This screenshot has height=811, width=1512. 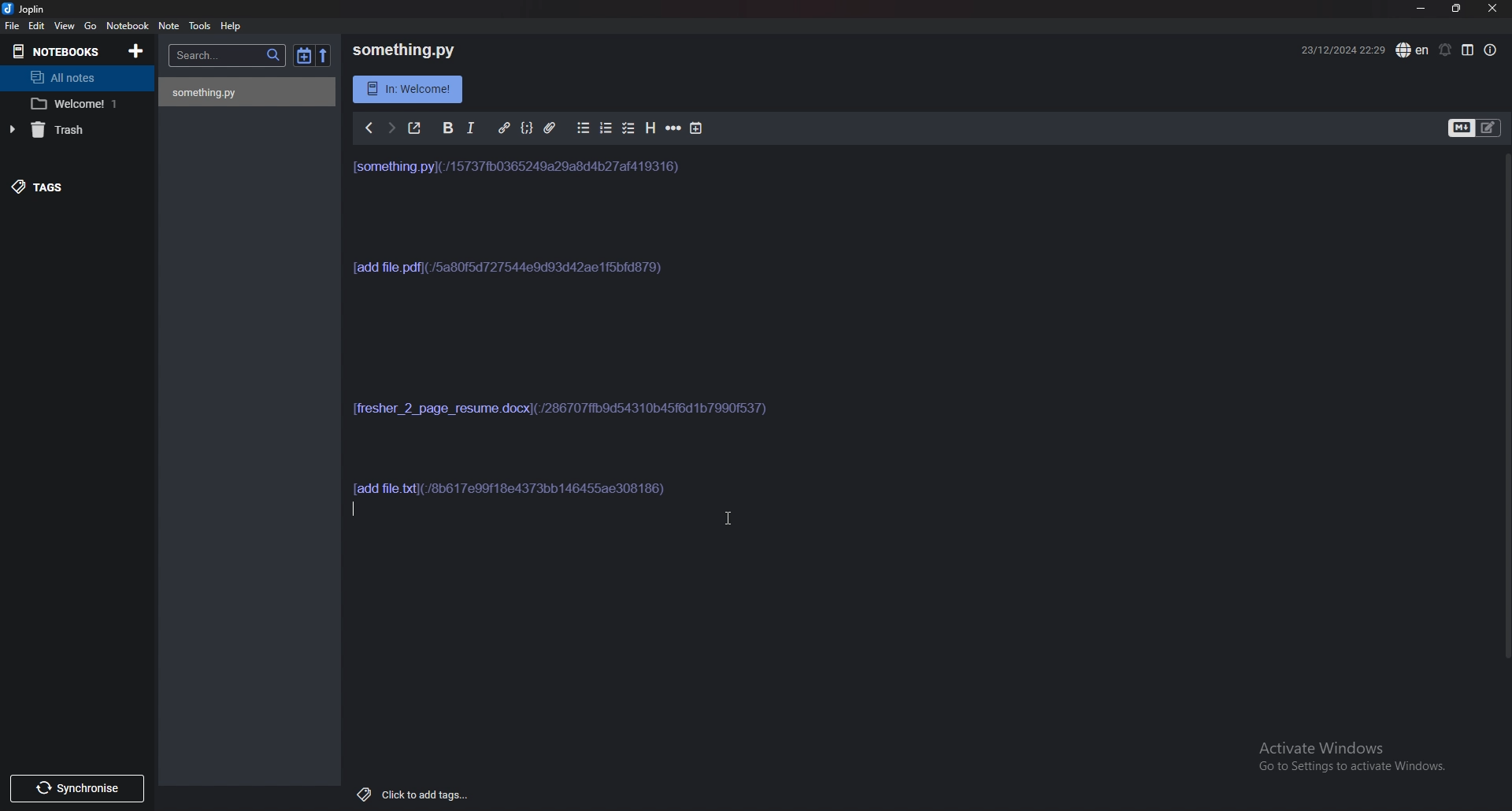 I want to click on Welcome 1, so click(x=76, y=104).